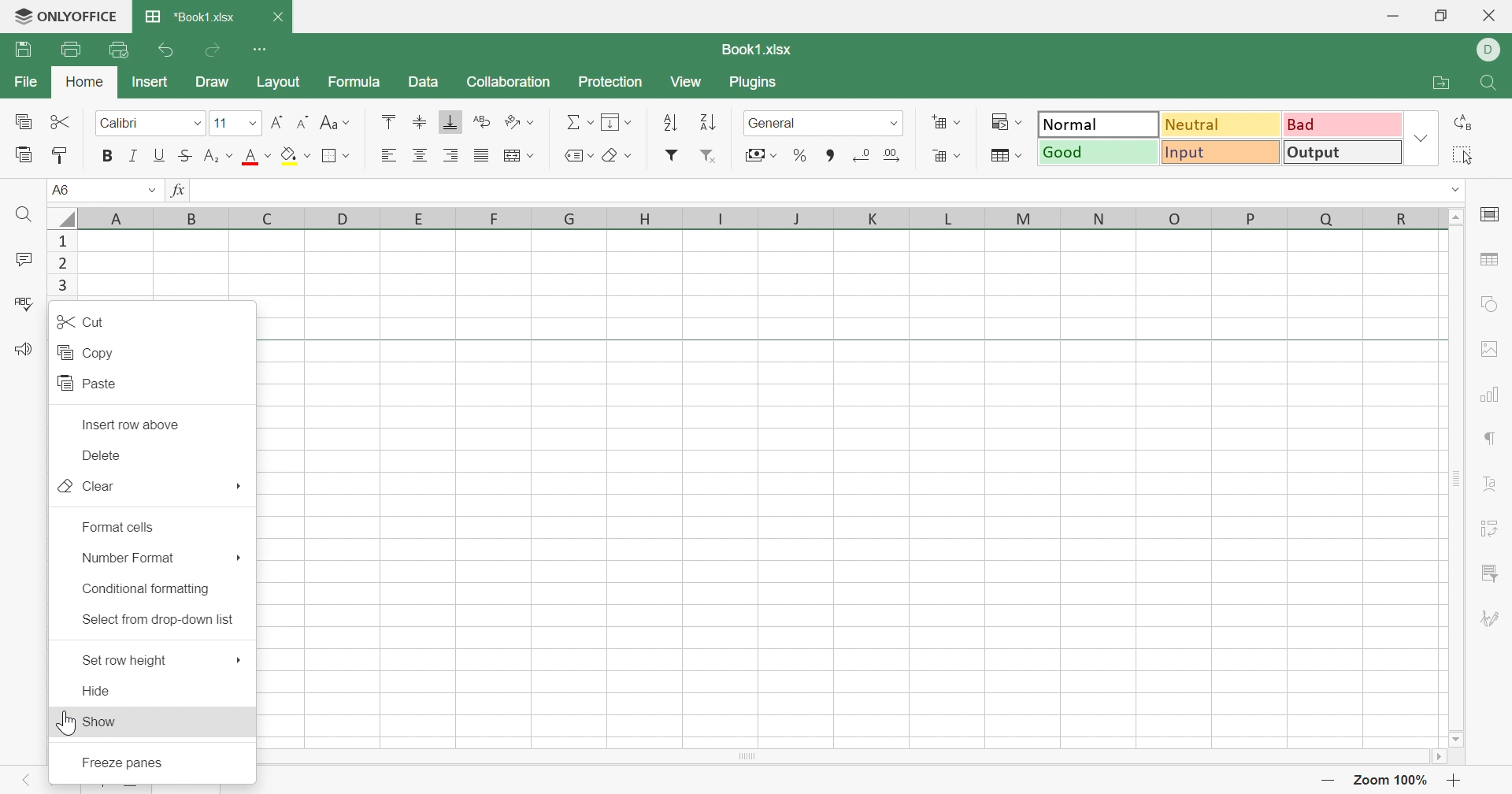 The image size is (1512, 794). Describe the element at coordinates (1456, 480) in the screenshot. I see `Scroll Bar` at that location.